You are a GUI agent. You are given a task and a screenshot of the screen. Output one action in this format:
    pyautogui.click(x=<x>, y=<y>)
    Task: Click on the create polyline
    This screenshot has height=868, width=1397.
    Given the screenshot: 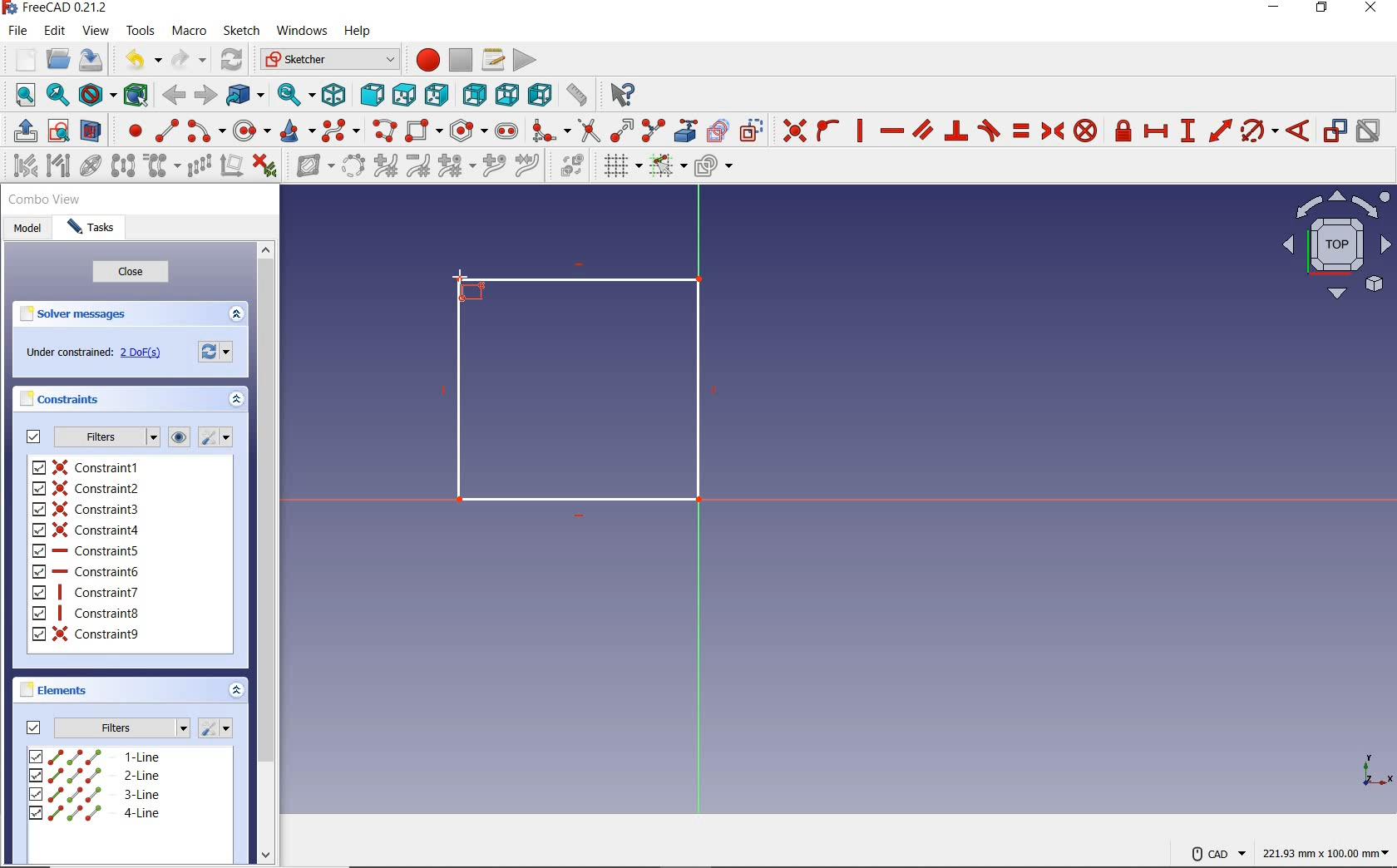 What is the action you would take?
    pyautogui.click(x=385, y=132)
    